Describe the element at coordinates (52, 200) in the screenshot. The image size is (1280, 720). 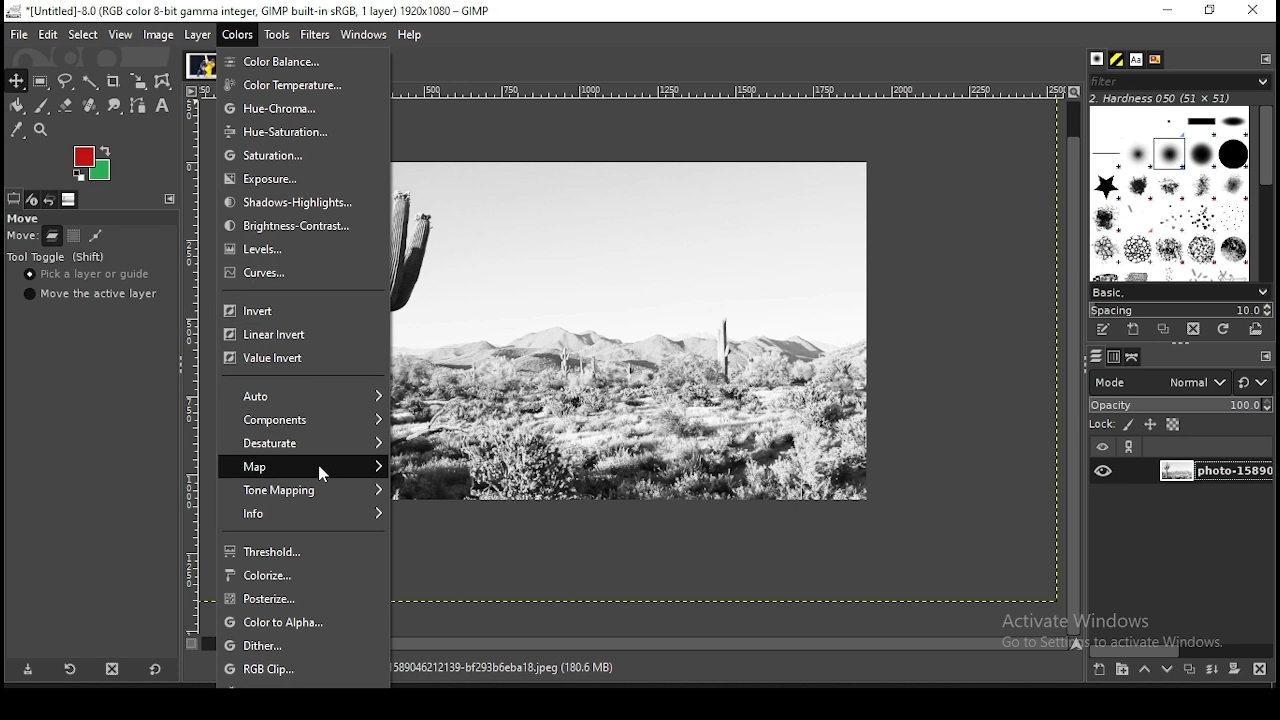
I see `undo history` at that location.